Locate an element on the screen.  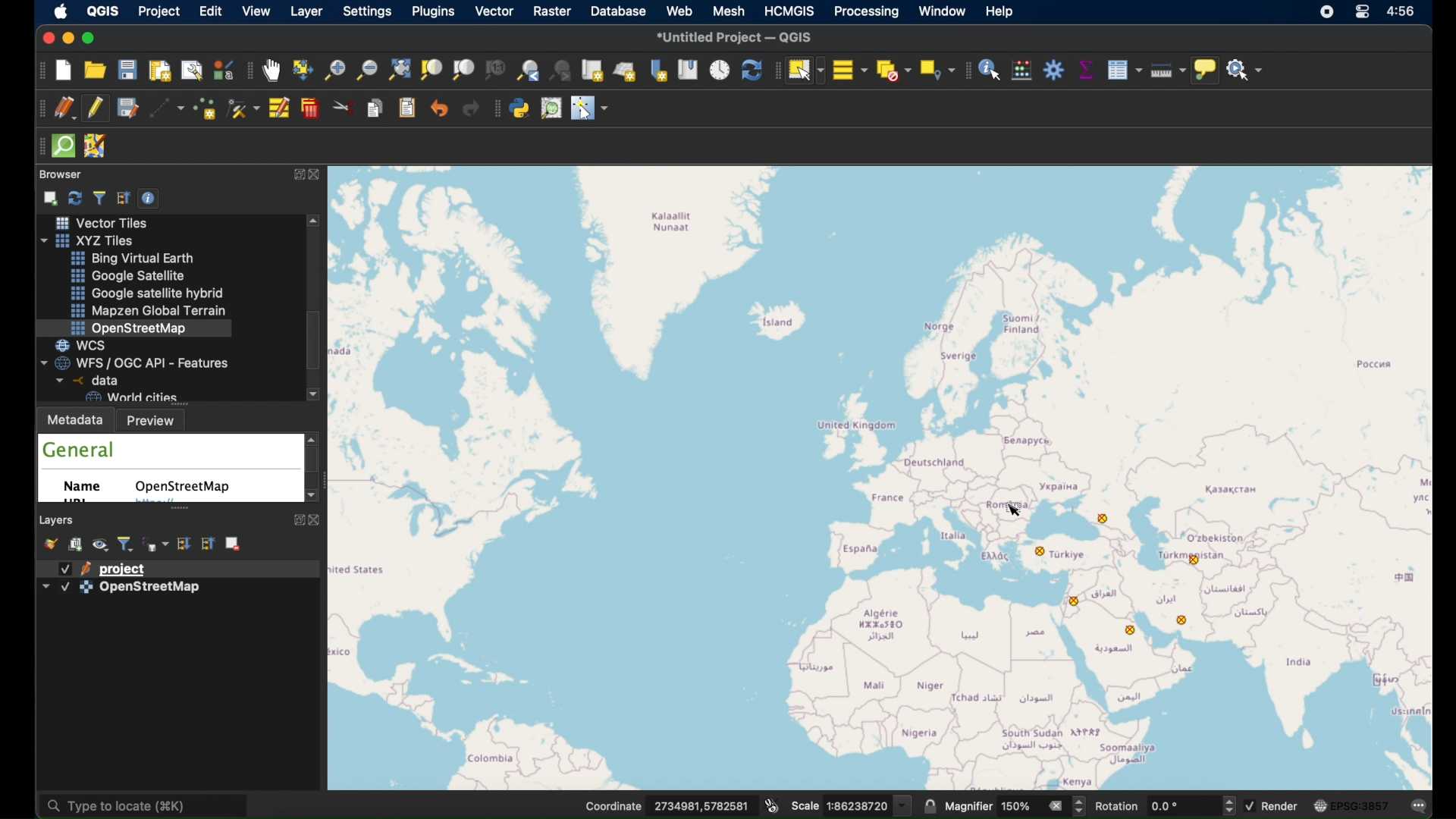
remove layer/group is located at coordinates (235, 544).